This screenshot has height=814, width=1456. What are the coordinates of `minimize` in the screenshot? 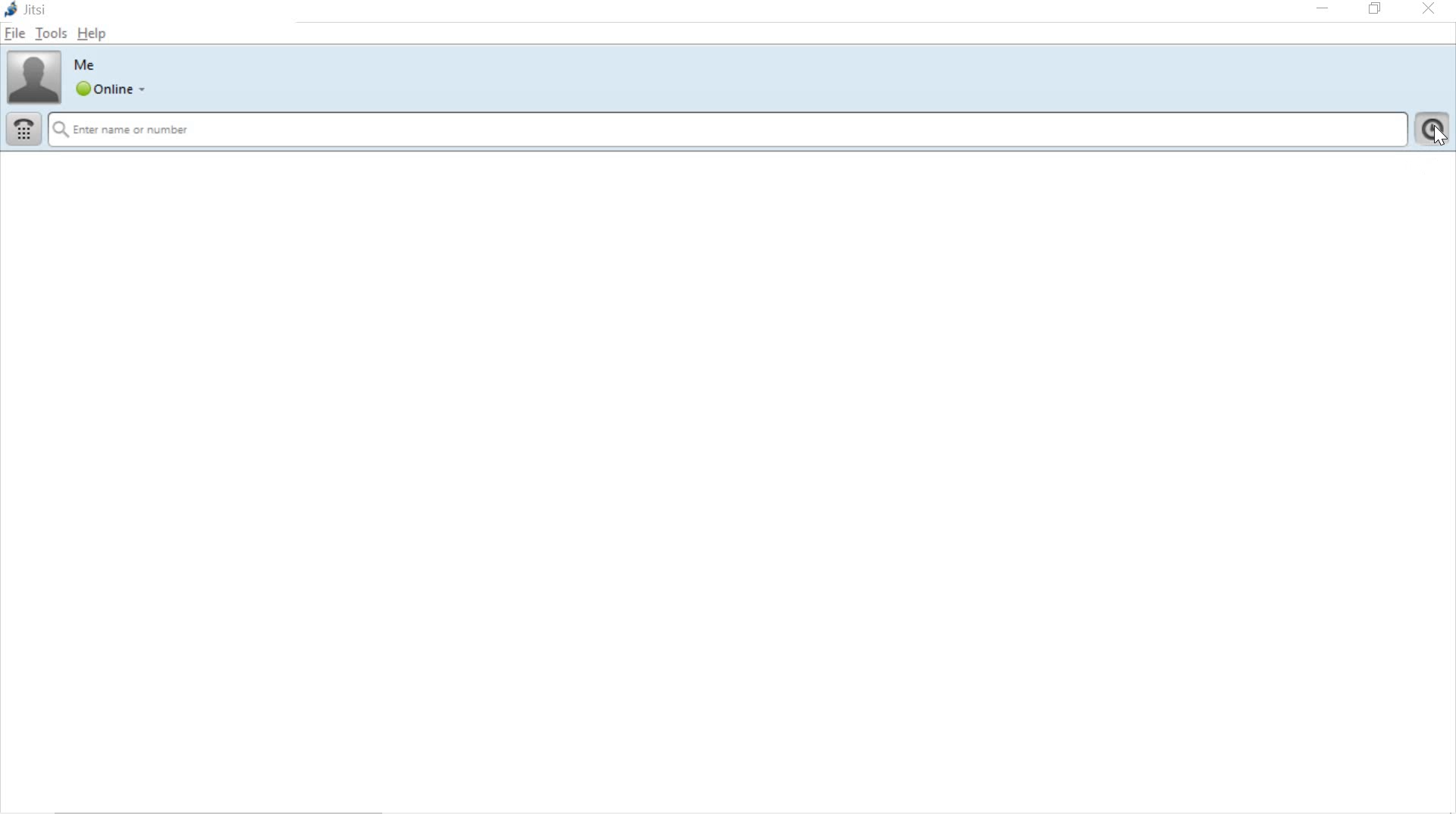 It's located at (1325, 8).